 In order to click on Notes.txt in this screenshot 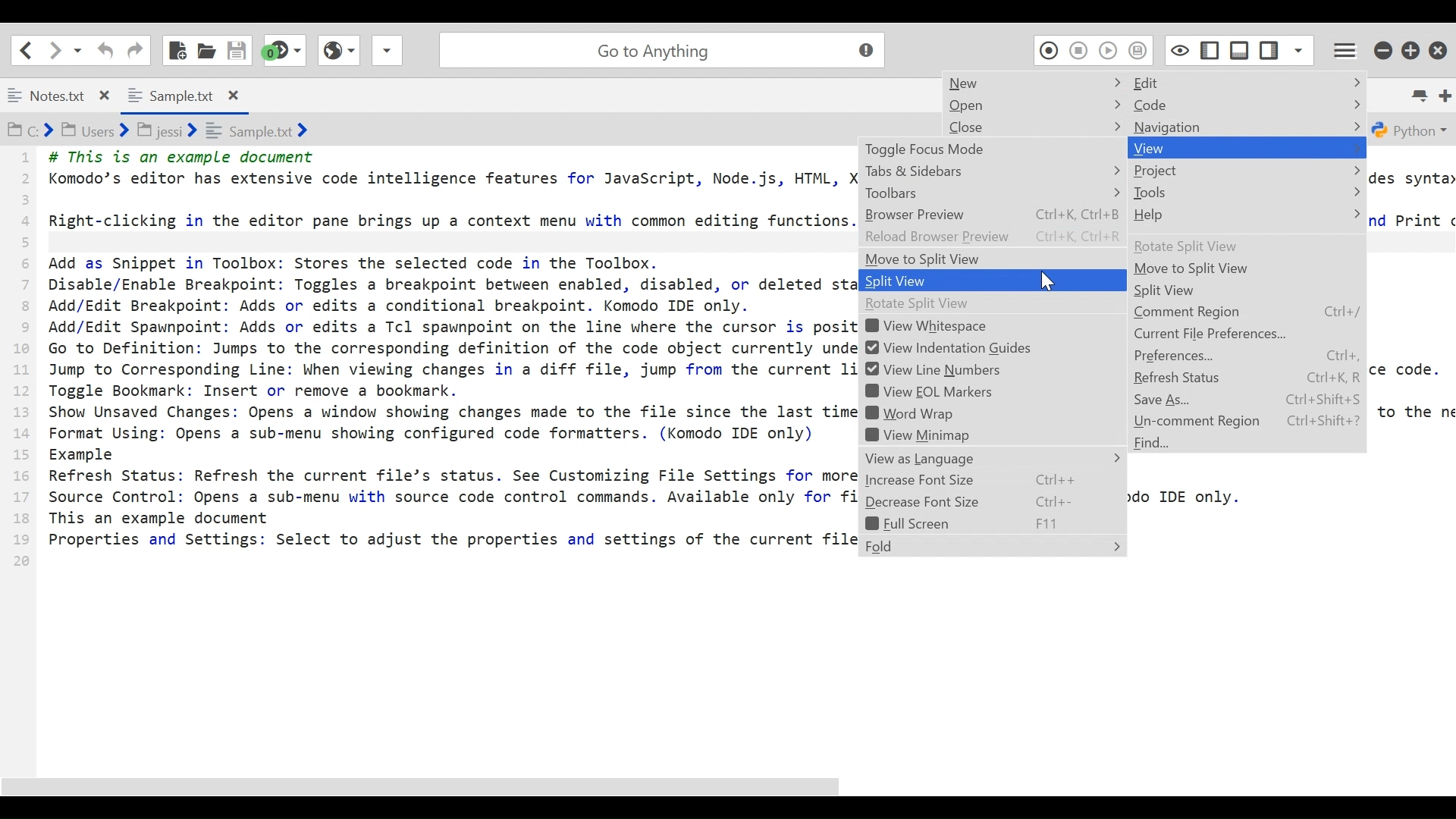, I will do `click(60, 96)`.